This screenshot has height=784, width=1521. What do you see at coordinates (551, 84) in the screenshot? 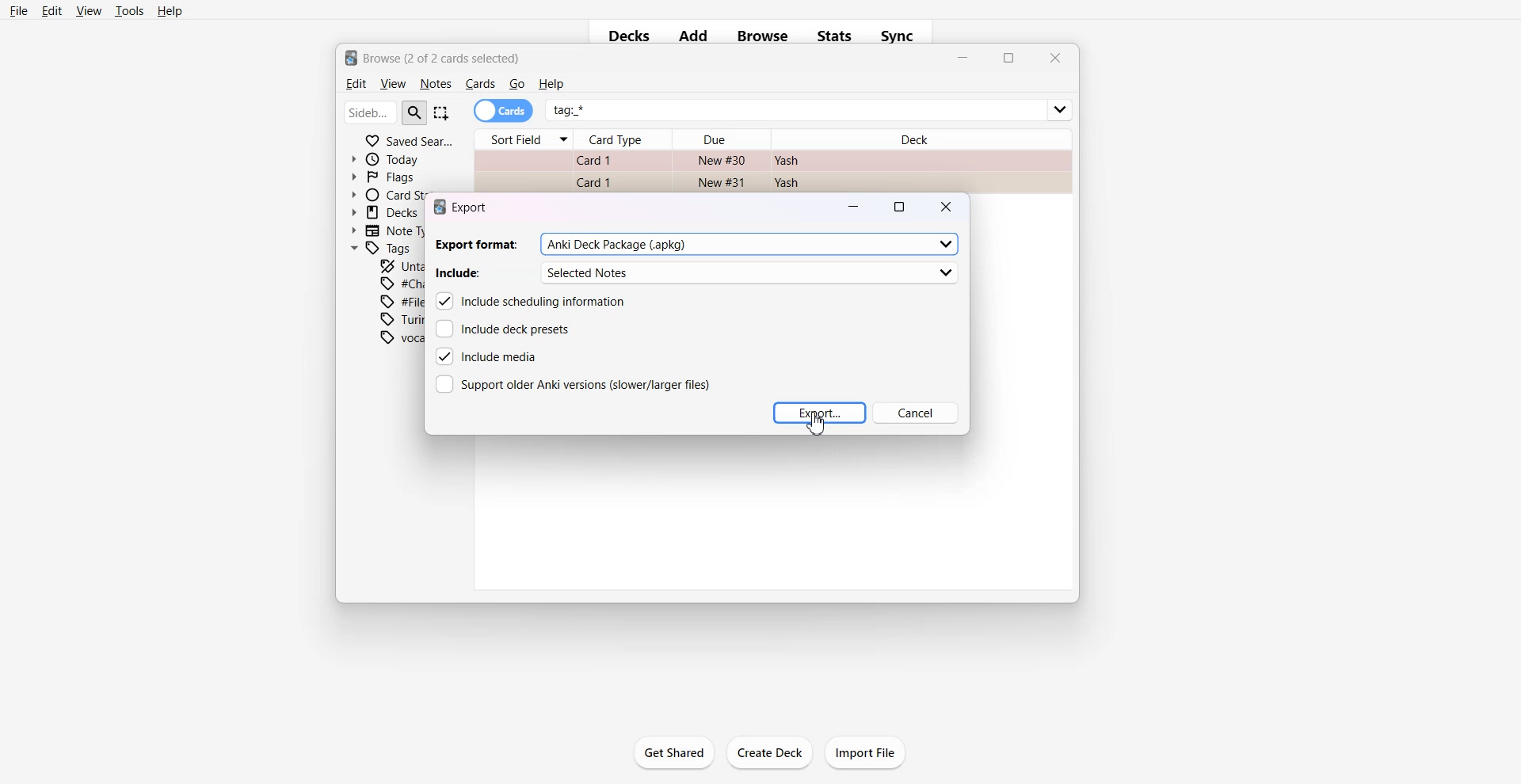
I see `He` at bounding box center [551, 84].